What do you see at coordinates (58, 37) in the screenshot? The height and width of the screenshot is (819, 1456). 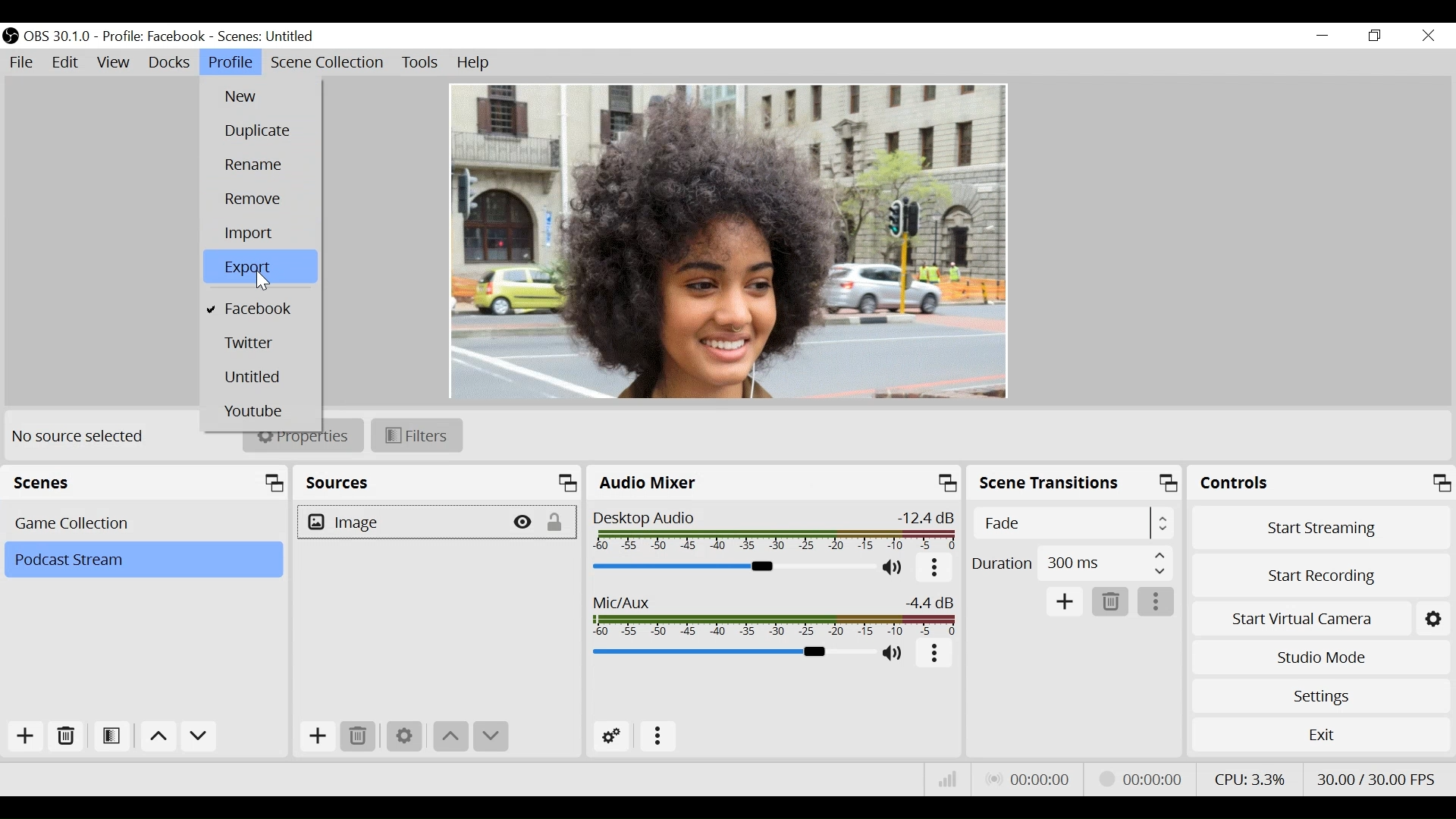 I see `OBS Version` at bounding box center [58, 37].